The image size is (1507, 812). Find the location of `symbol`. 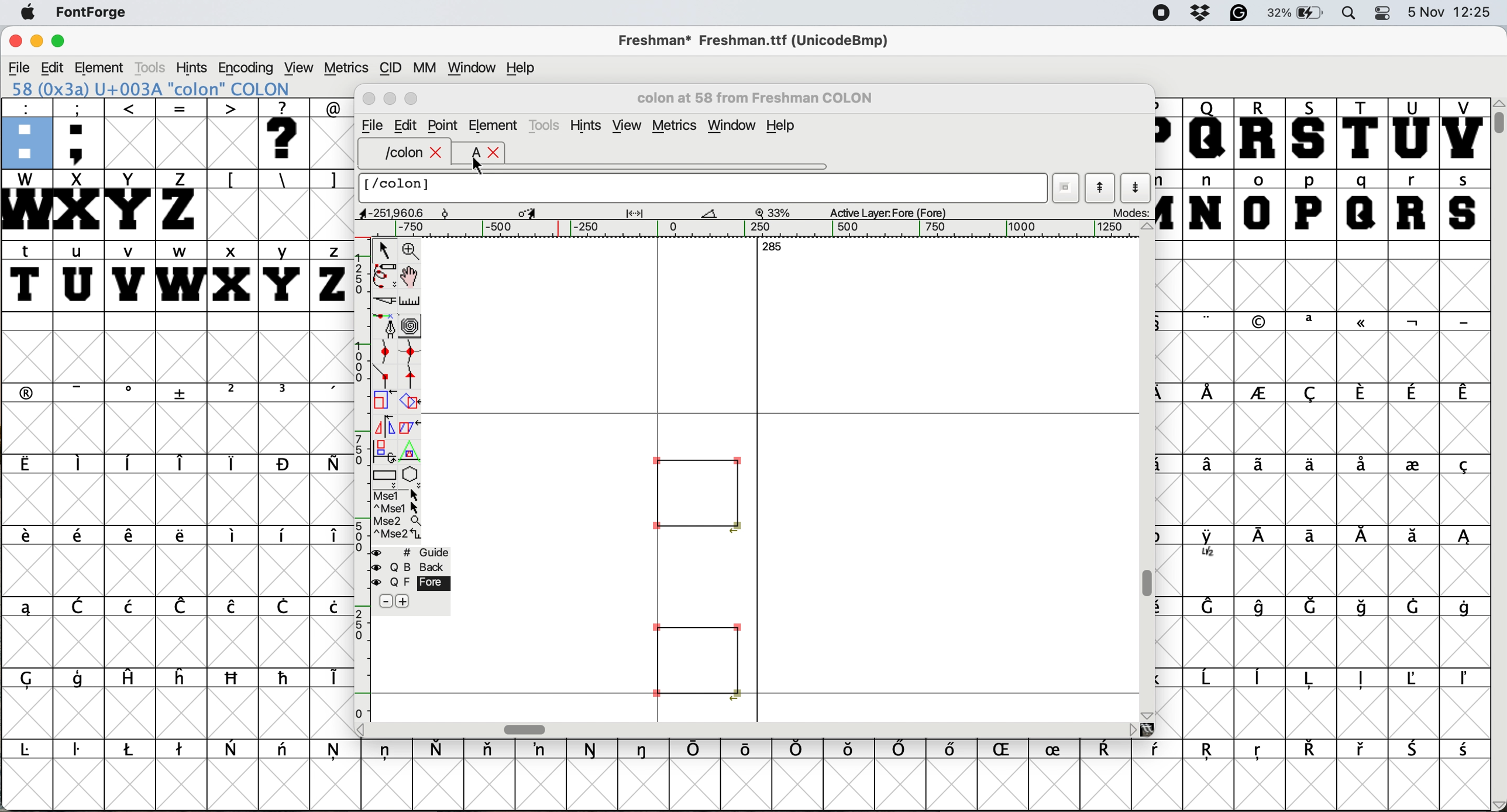

symbol is located at coordinates (1312, 679).